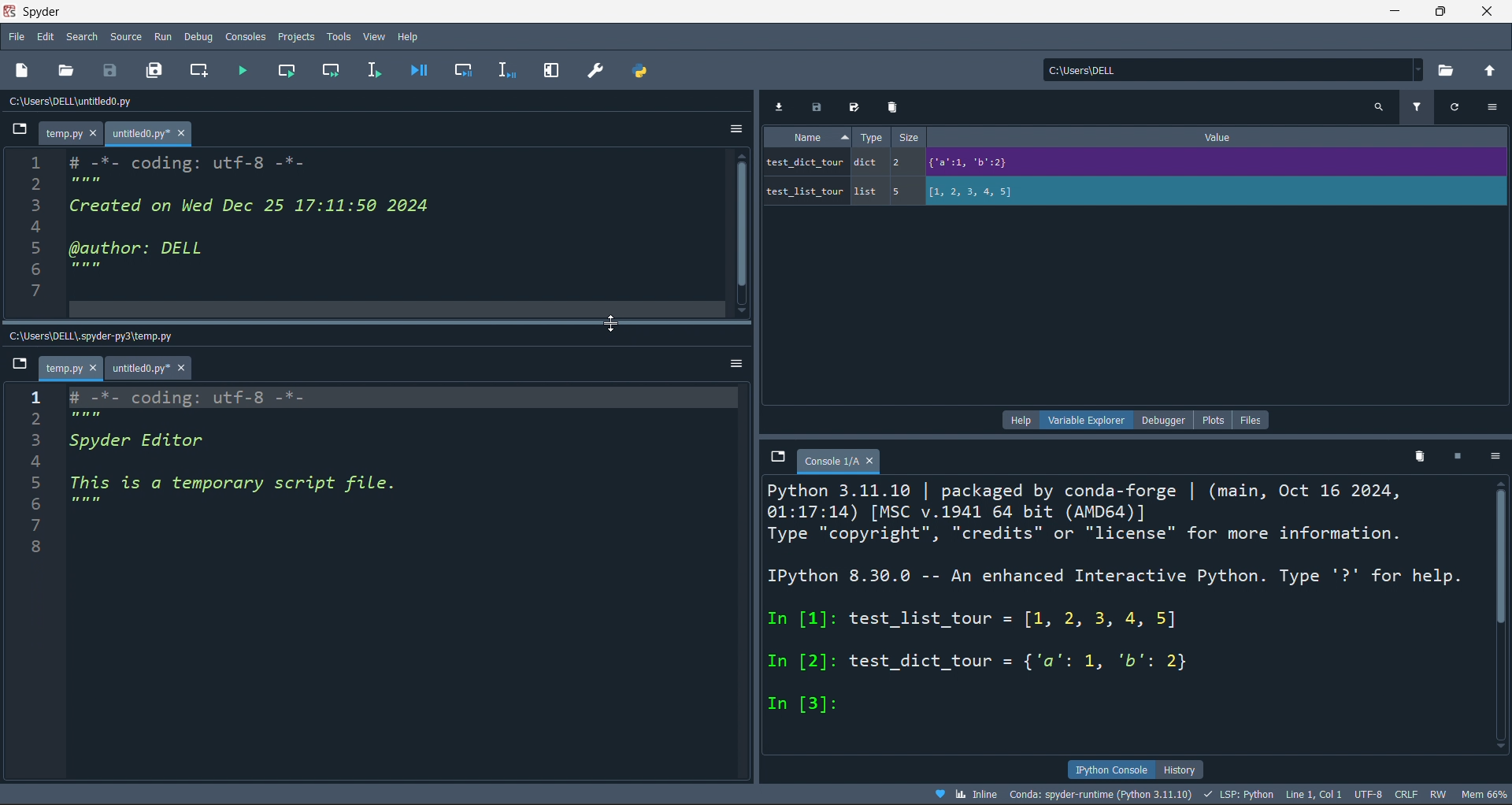 This screenshot has height=805, width=1512. I want to click on | C:\Users\DELL, so click(1081, 69).